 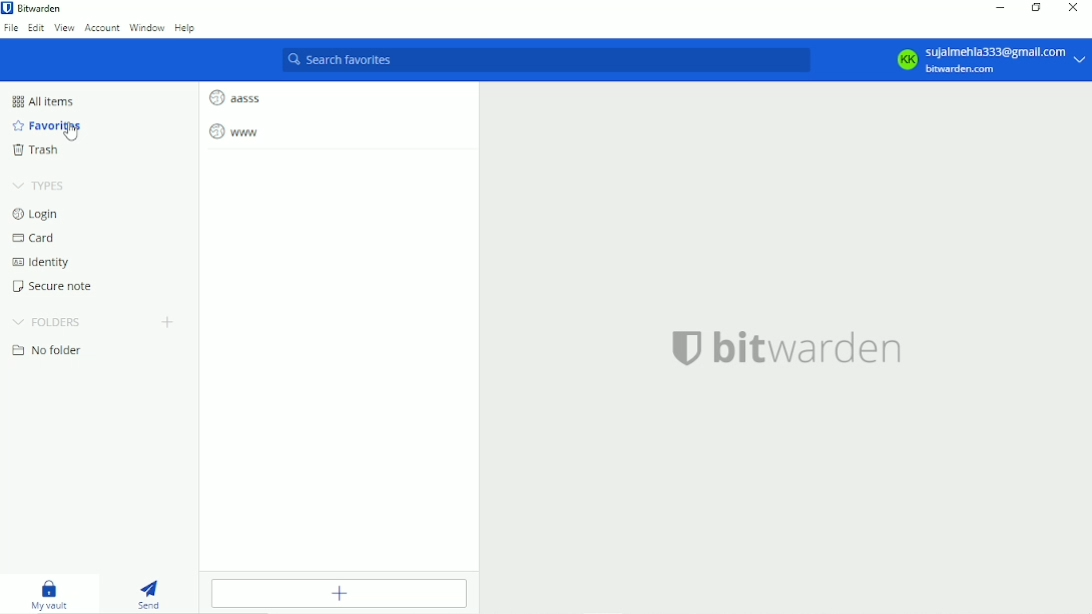 I want to click on Add item, so click(x=337, y=593).